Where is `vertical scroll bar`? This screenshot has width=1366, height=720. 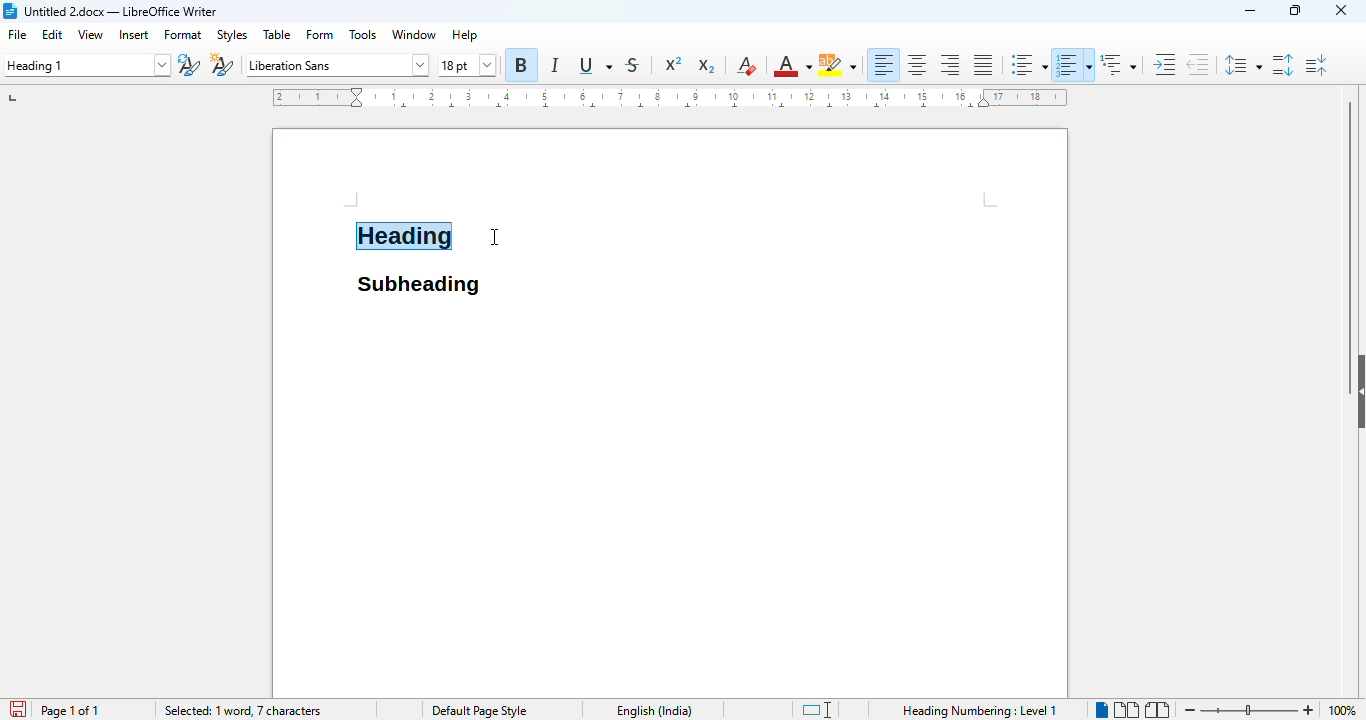 vertical scroll bar is located at coordinates (1351, 216).